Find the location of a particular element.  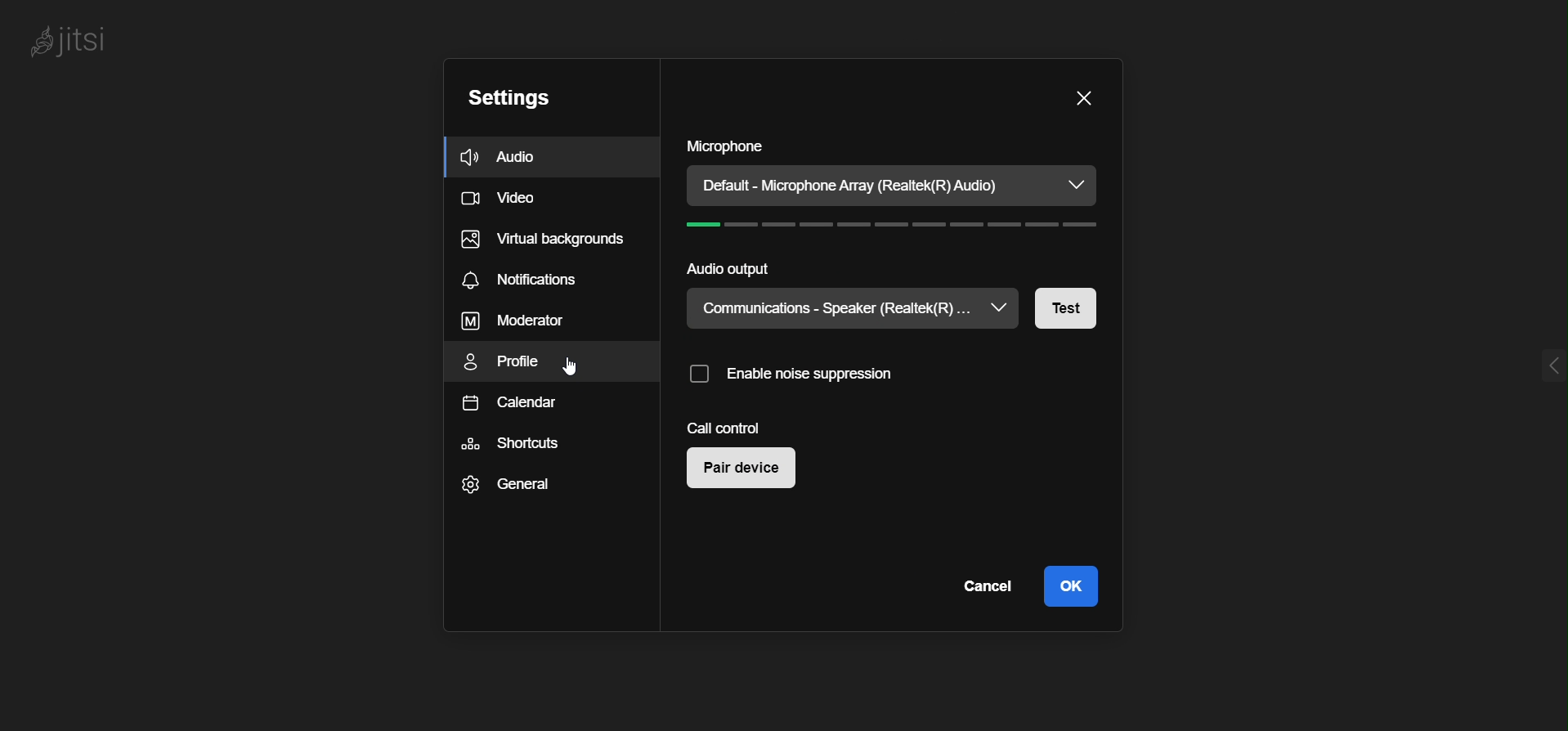

moderator is located at coordinates (513, 322).